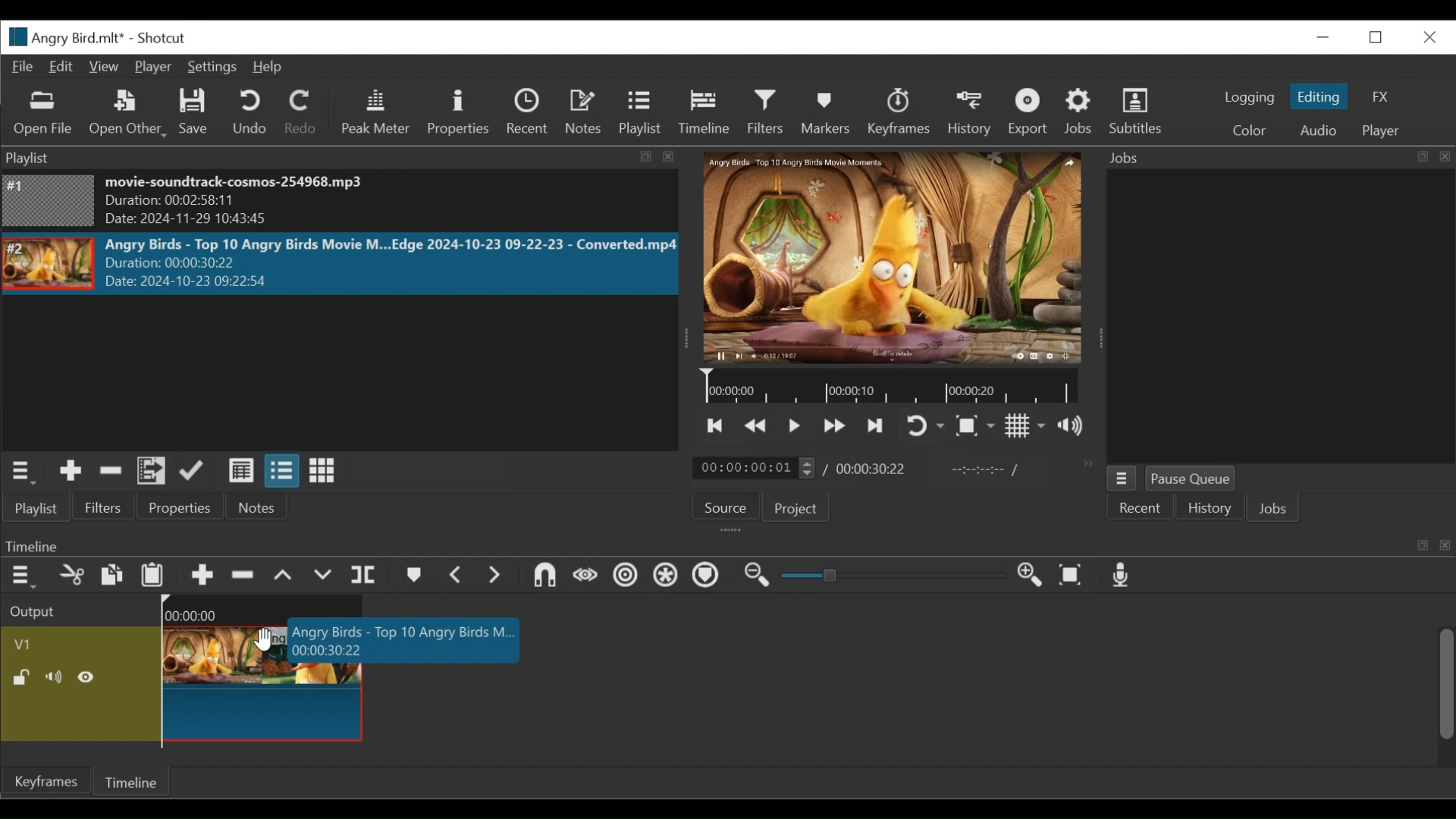 The image size is (1456, 819). Describe the element at coordinates (1378, 36) in the screenshot. I see `Restore` at that location.